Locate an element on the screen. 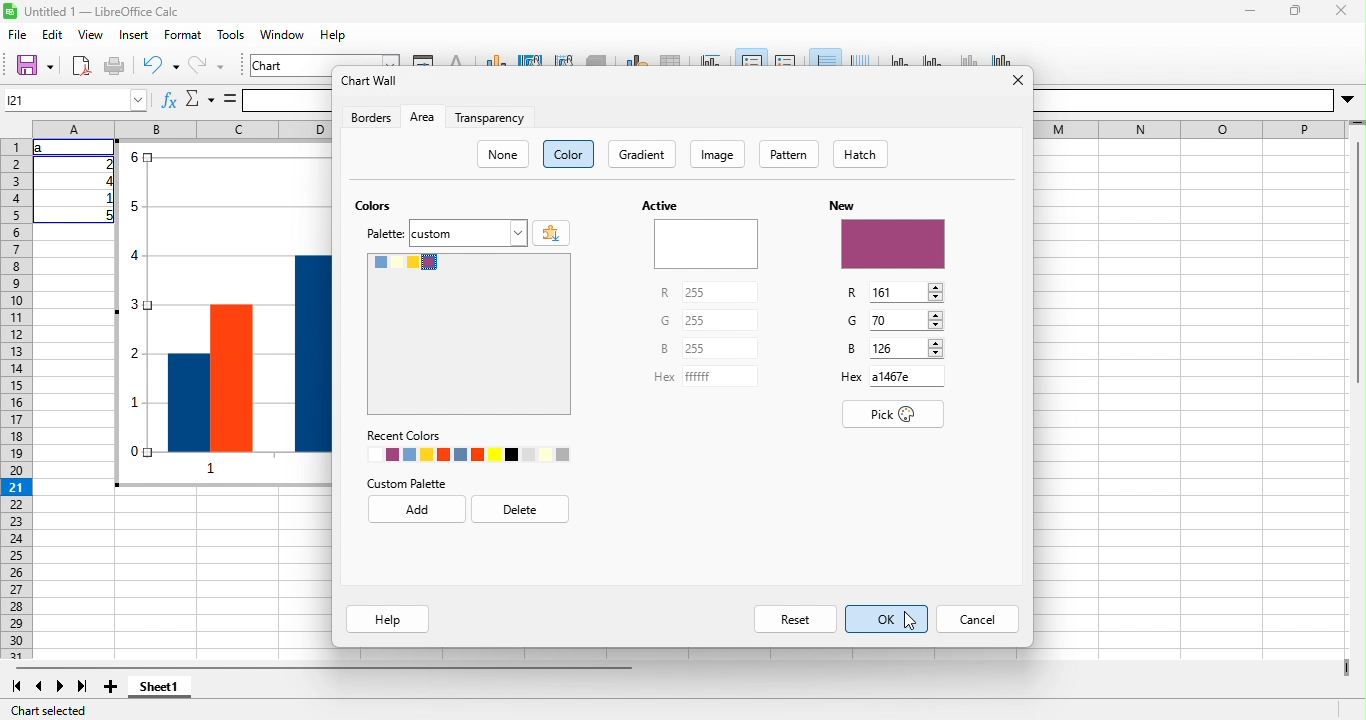  horizontal grids is located at coordinates (825, 57).